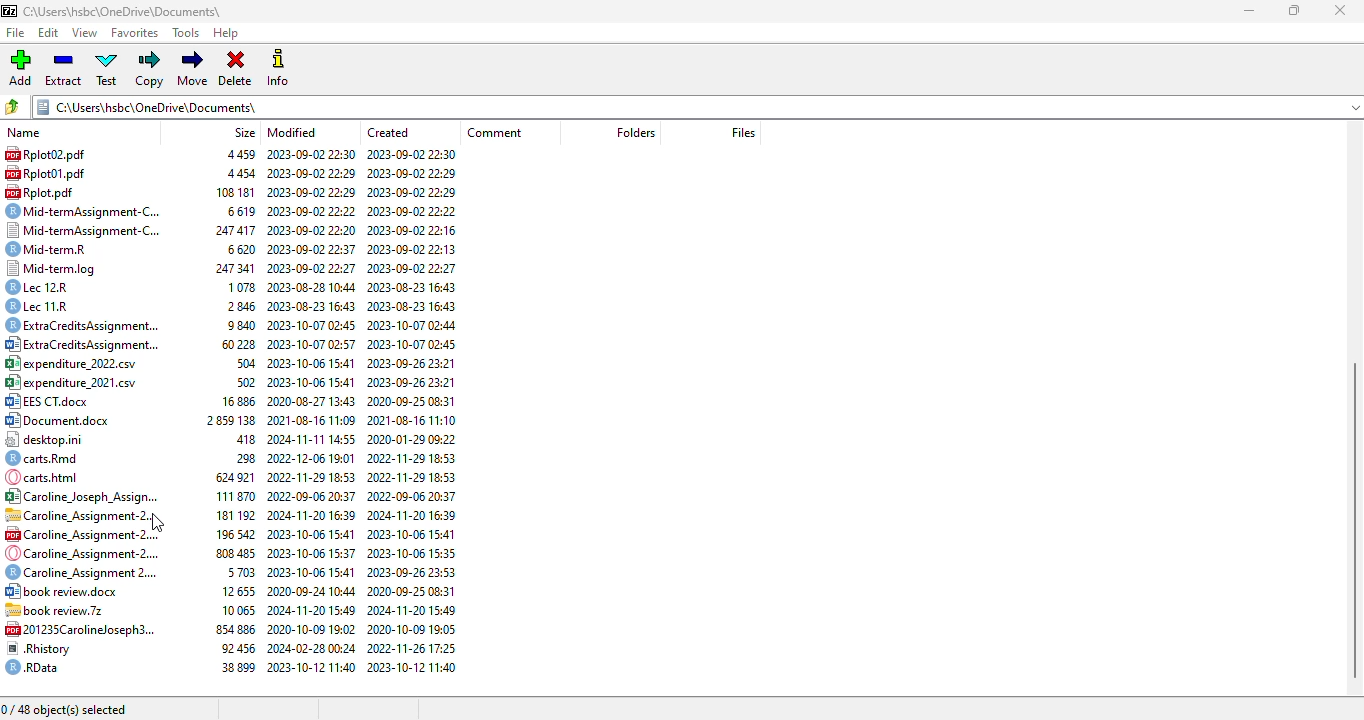 This screenshot has width=1364, height=720. Describe the element at coordinates (83, 325) in the screenshot. I see `ExtraCr
© ExtraCreditsAssignment...` at that location.